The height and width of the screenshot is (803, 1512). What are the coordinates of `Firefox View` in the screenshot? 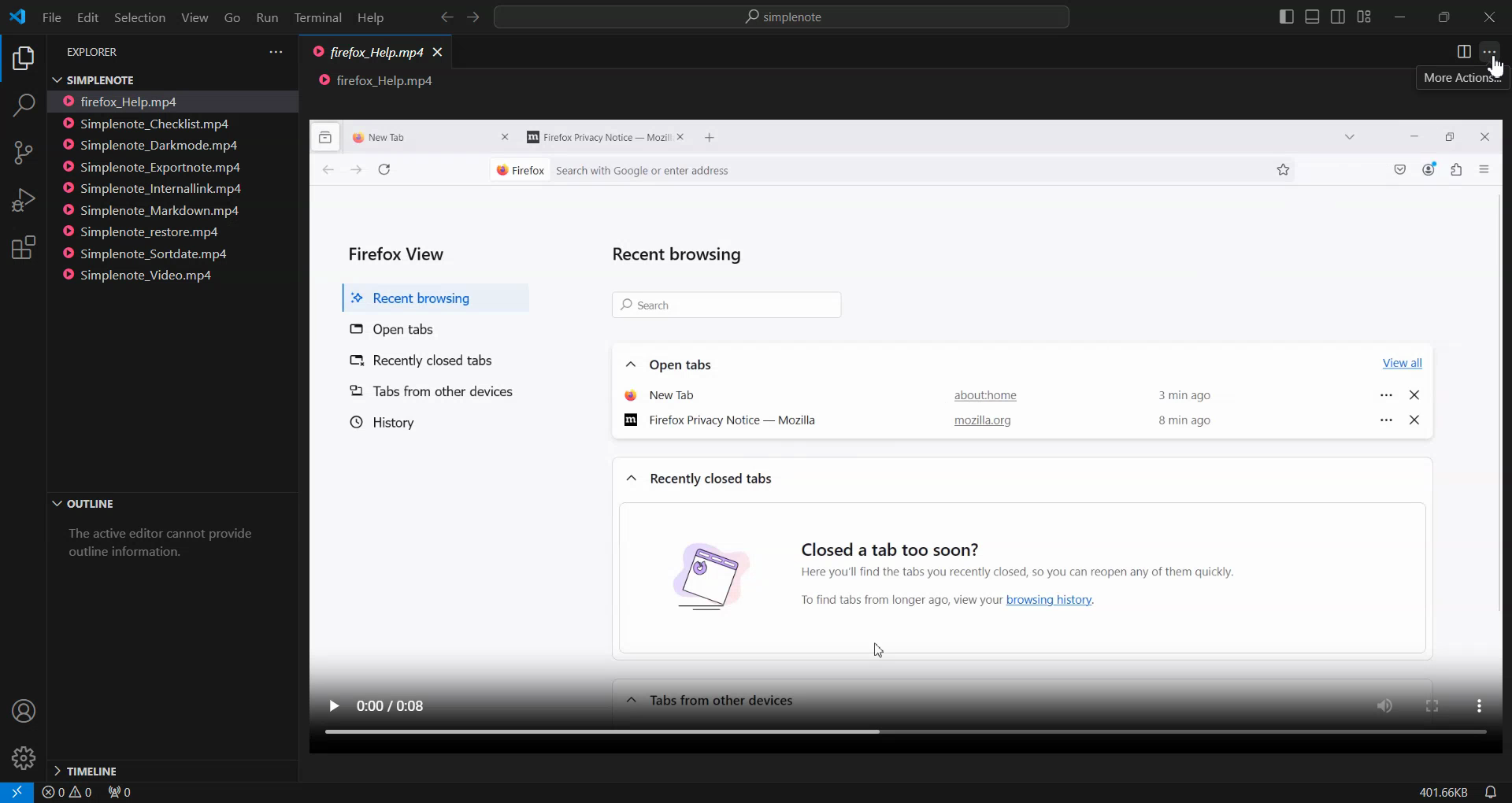 It's located at (399, 250).